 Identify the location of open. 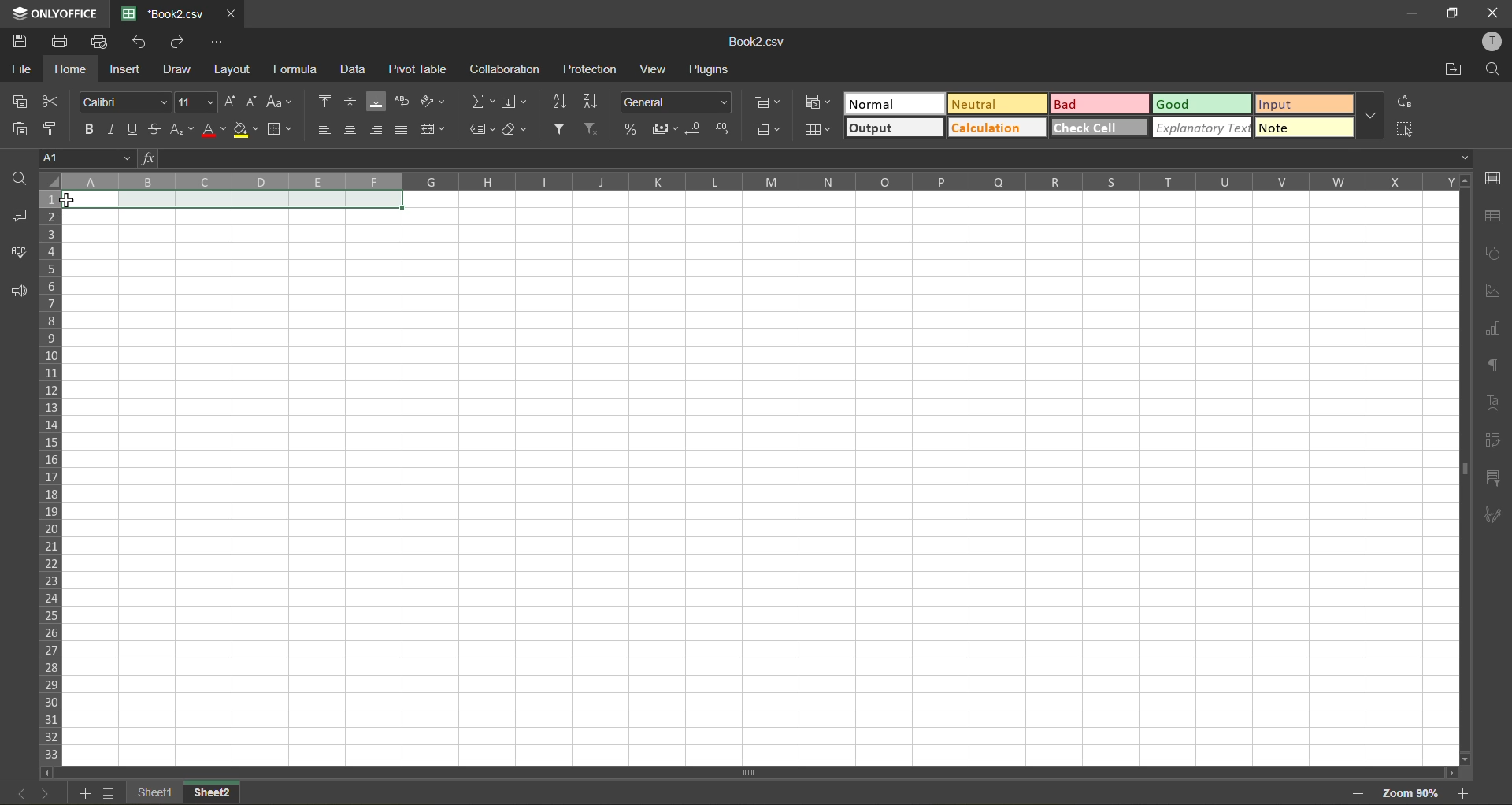
(13, 176).